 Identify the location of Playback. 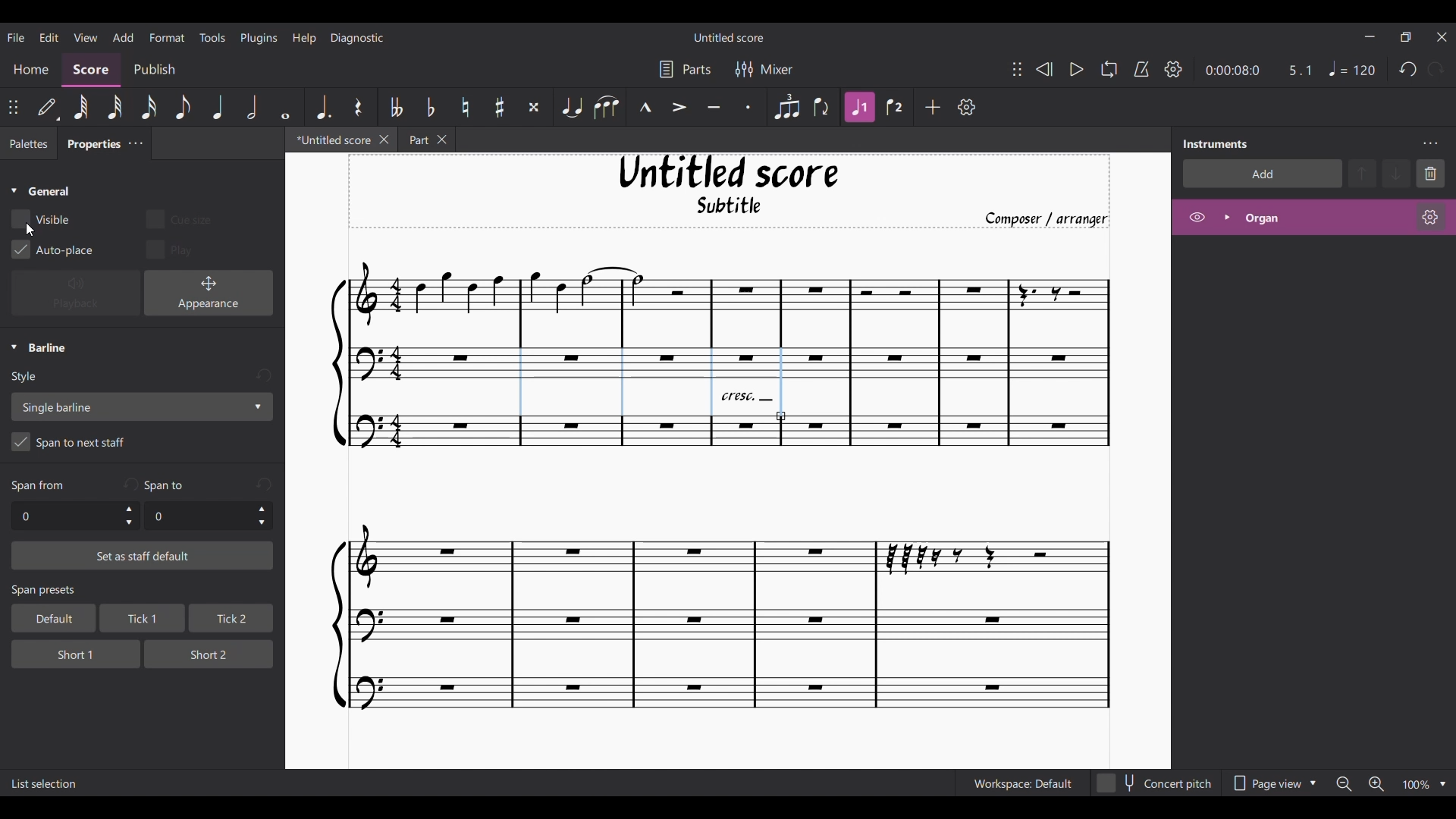
(76, 293).